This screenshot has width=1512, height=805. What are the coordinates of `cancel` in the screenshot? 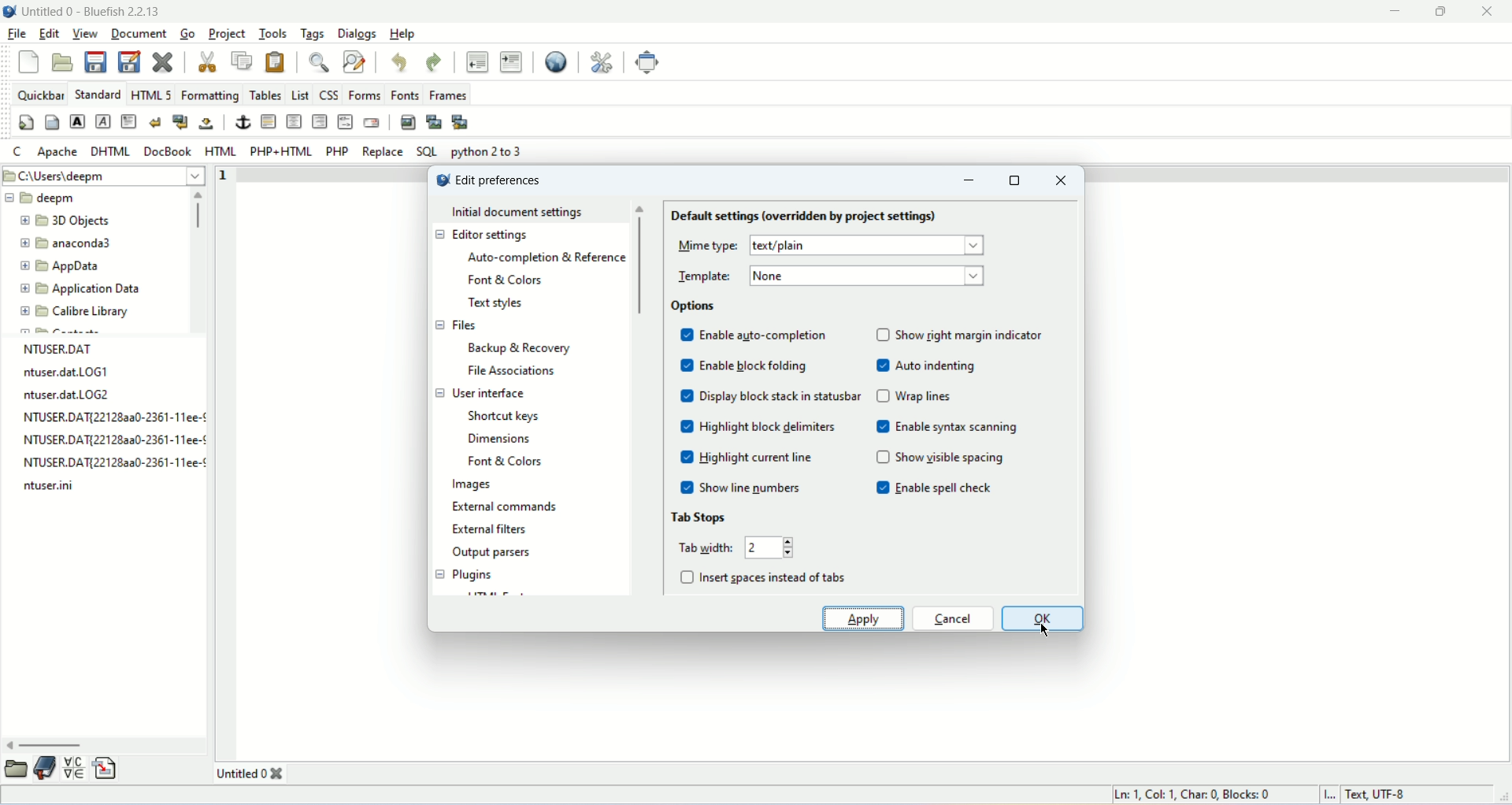 It's located at (955, 618).